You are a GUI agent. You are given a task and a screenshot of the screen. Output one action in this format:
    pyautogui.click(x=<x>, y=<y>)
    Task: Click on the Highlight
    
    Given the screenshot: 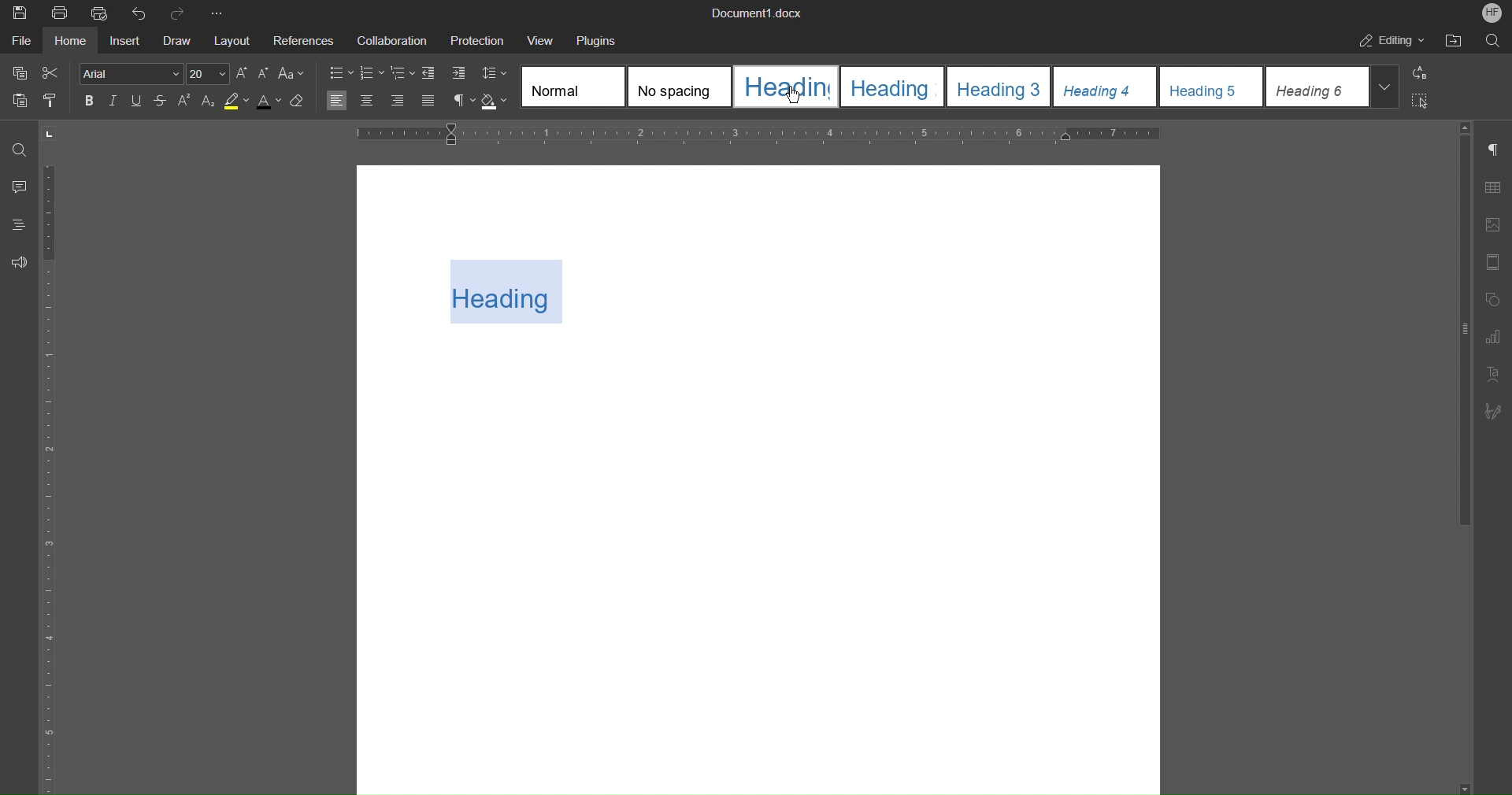 What is the action you would take?
    pyautogui.click(x=239, y=103)
    